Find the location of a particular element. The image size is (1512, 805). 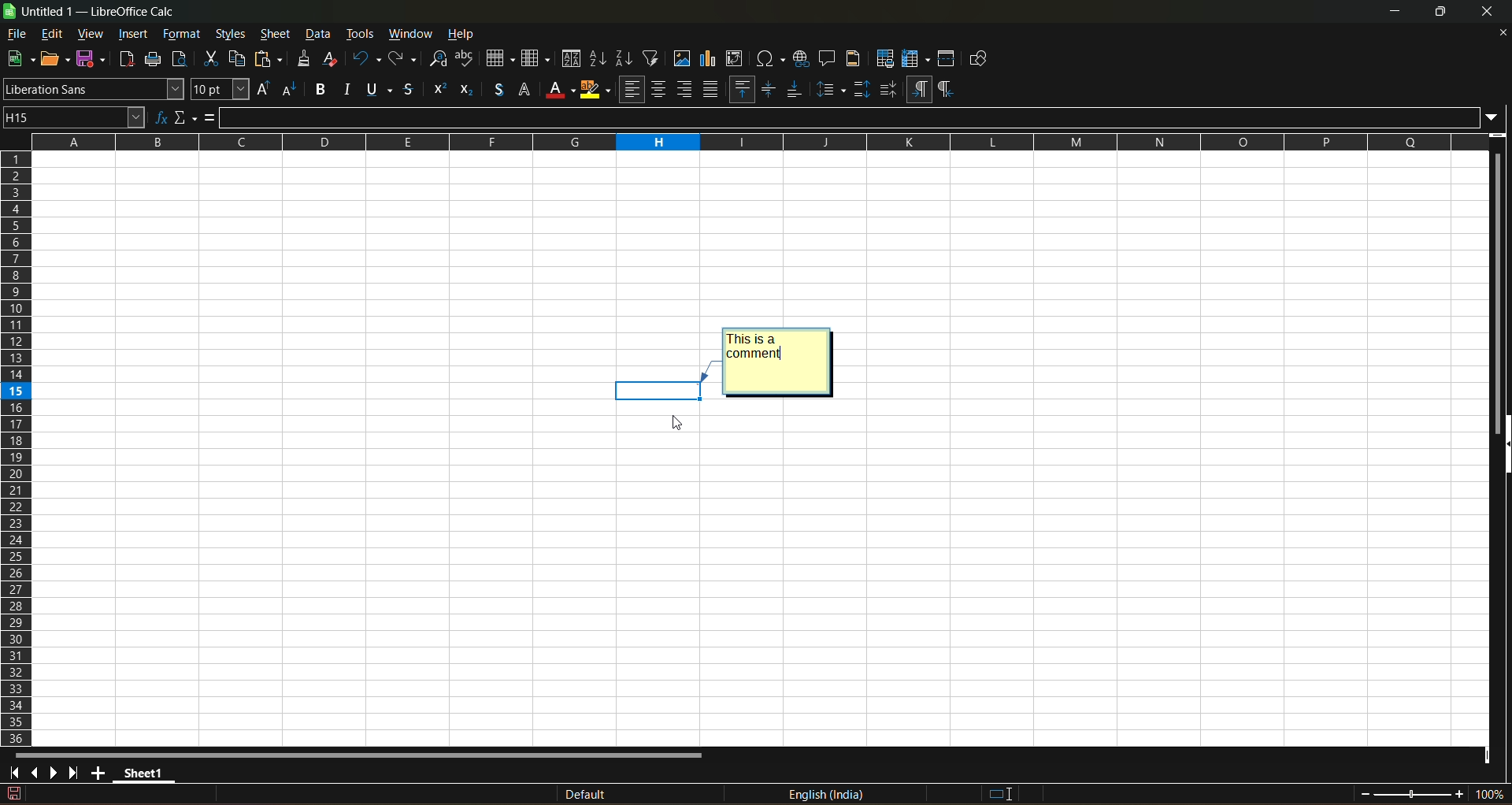

hide is located at coordinates (1503, 445).